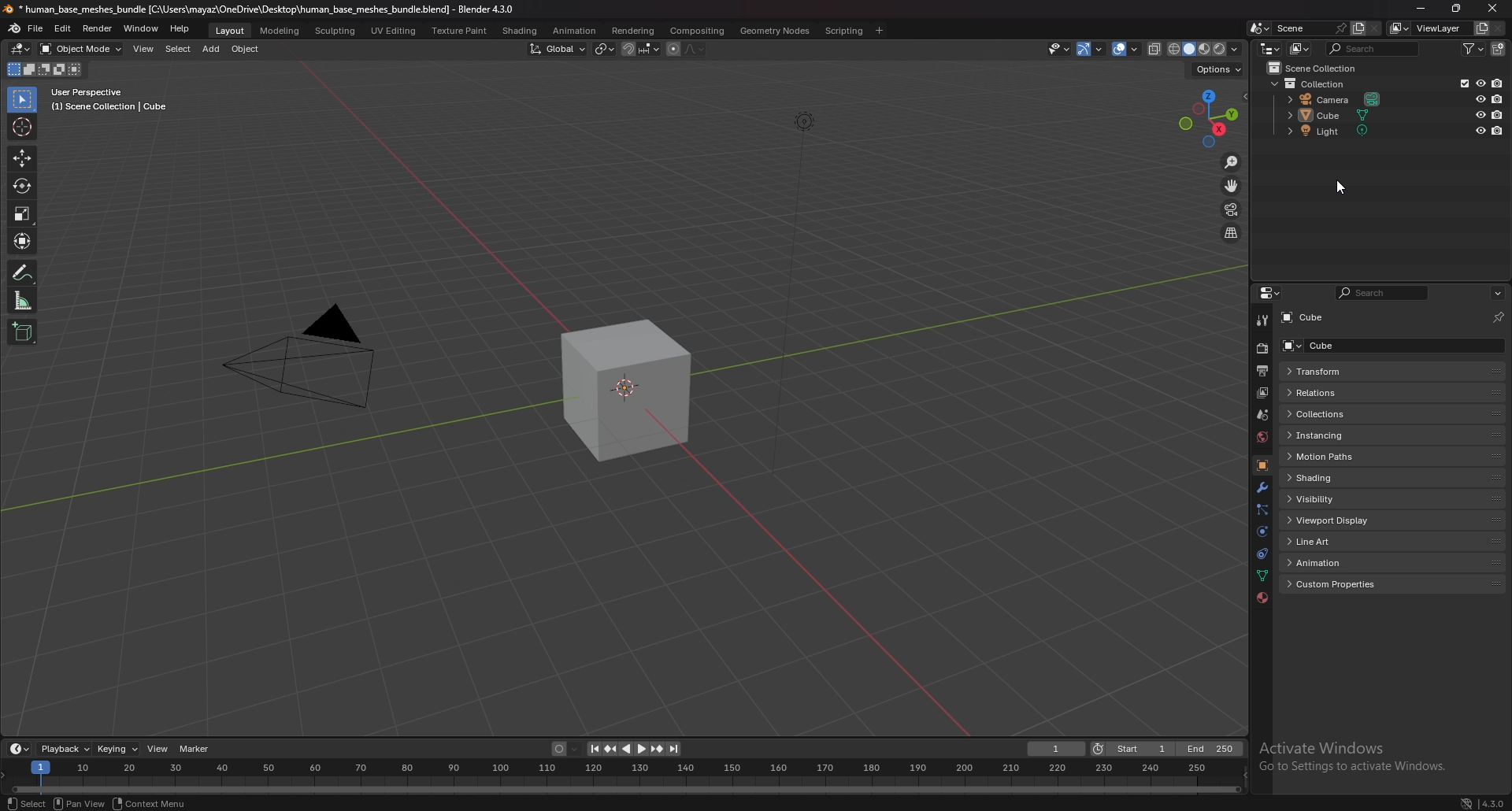  What do you see at coordinates (1456, 8) in the screenshot?
I see `resize` at bounding box center [1456, 8].